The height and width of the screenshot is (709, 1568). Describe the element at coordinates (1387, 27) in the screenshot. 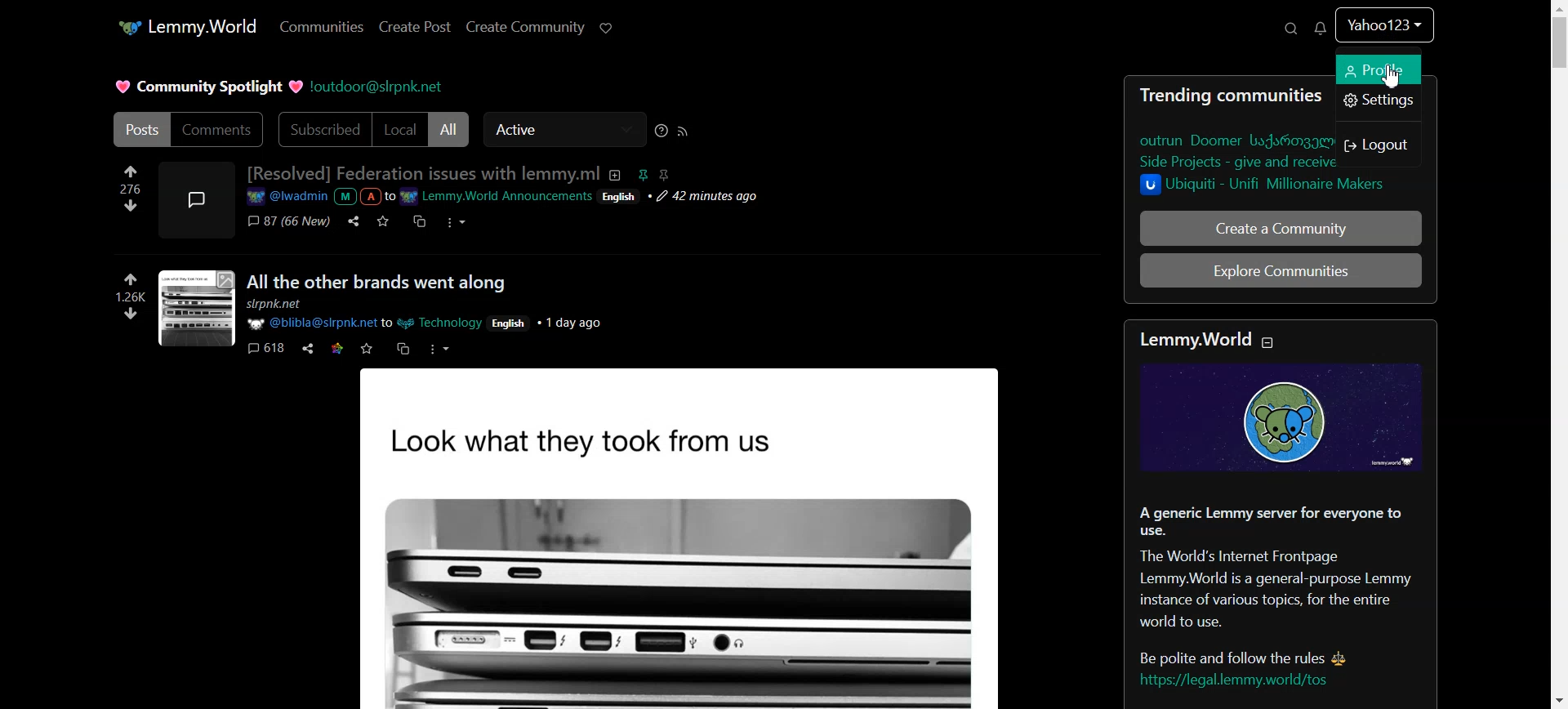

I see `yahoo123` at that location.